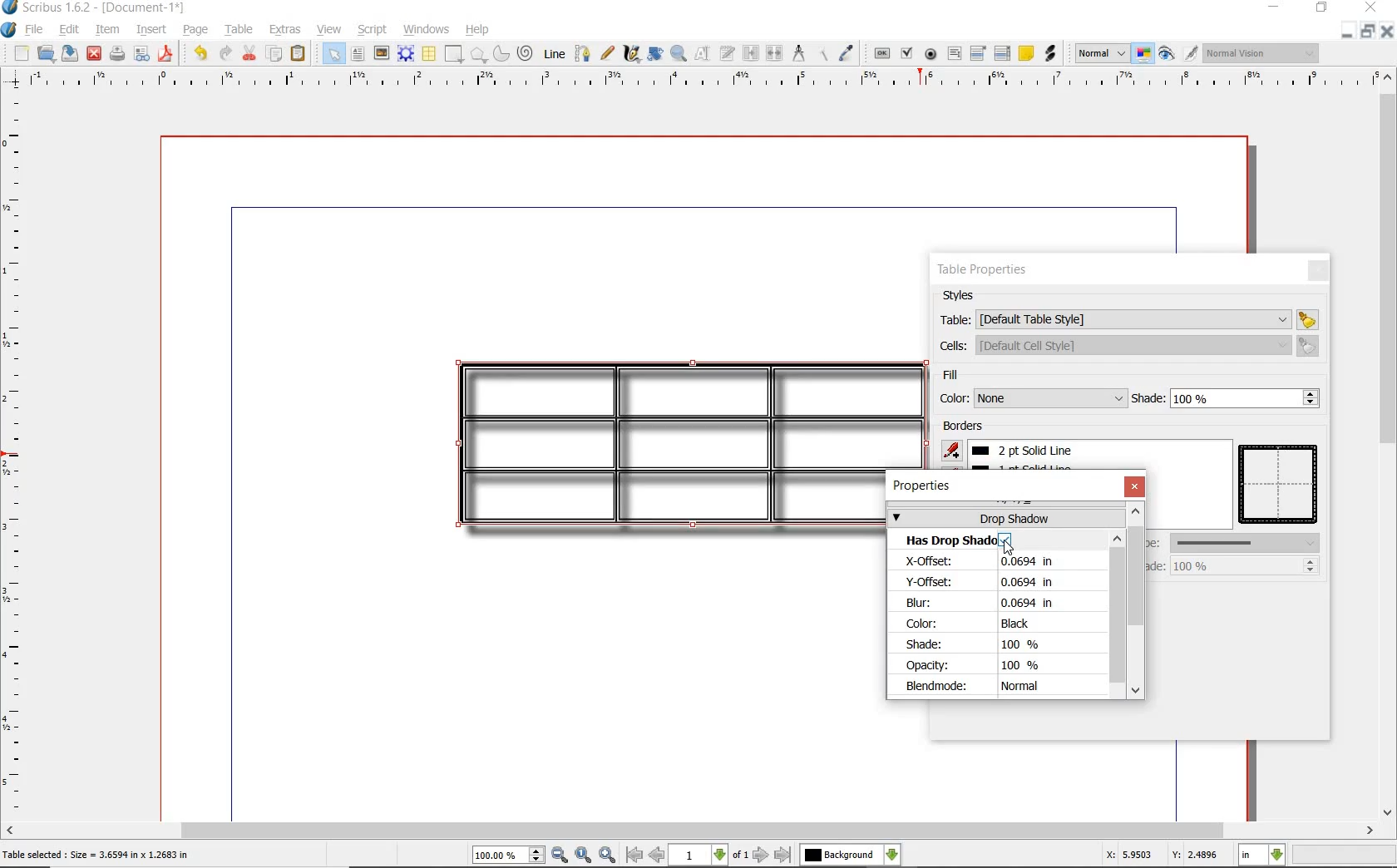 The height and width of the screenshot is (868, 1397). What do you see at coordinates (630, 53) in the screenshot?
I see `calligraphic line` at bounding box center [630, 53].